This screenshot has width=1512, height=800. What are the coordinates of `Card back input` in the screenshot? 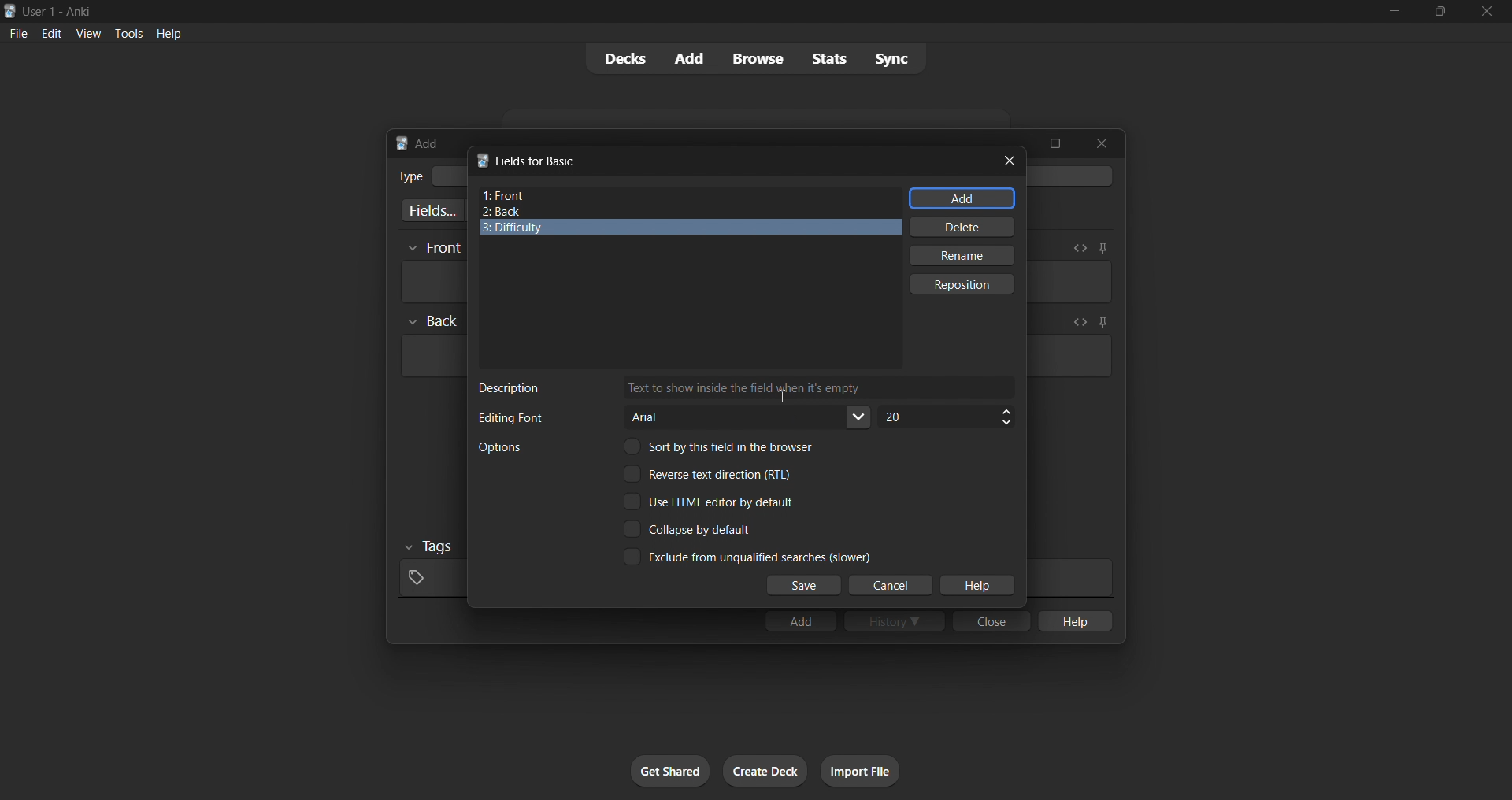 It's located at (1069, 356).